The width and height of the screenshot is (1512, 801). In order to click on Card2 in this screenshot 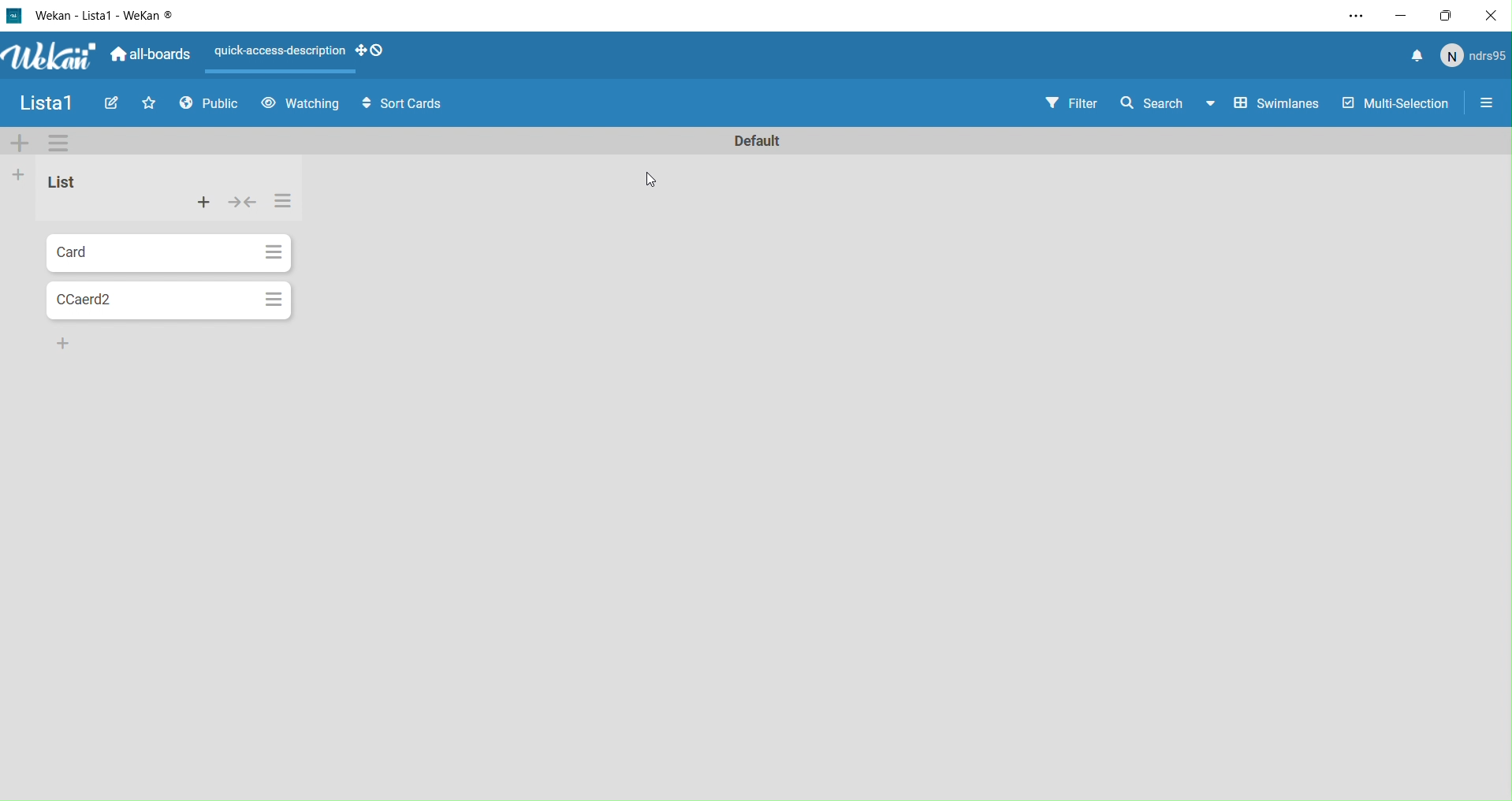, I will do `click(148, 297)`.